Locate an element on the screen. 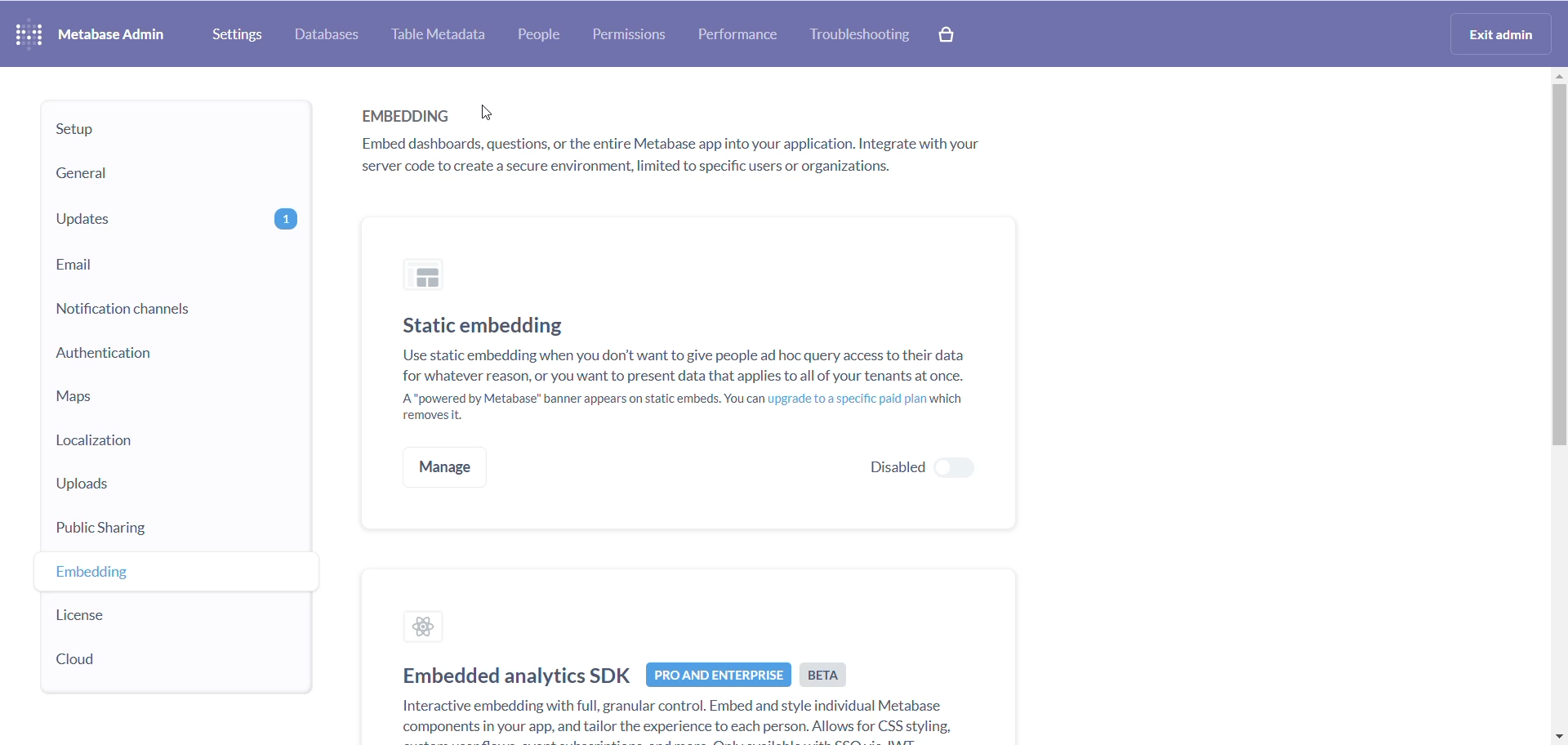  cursor is located at coordinates (486, 112).